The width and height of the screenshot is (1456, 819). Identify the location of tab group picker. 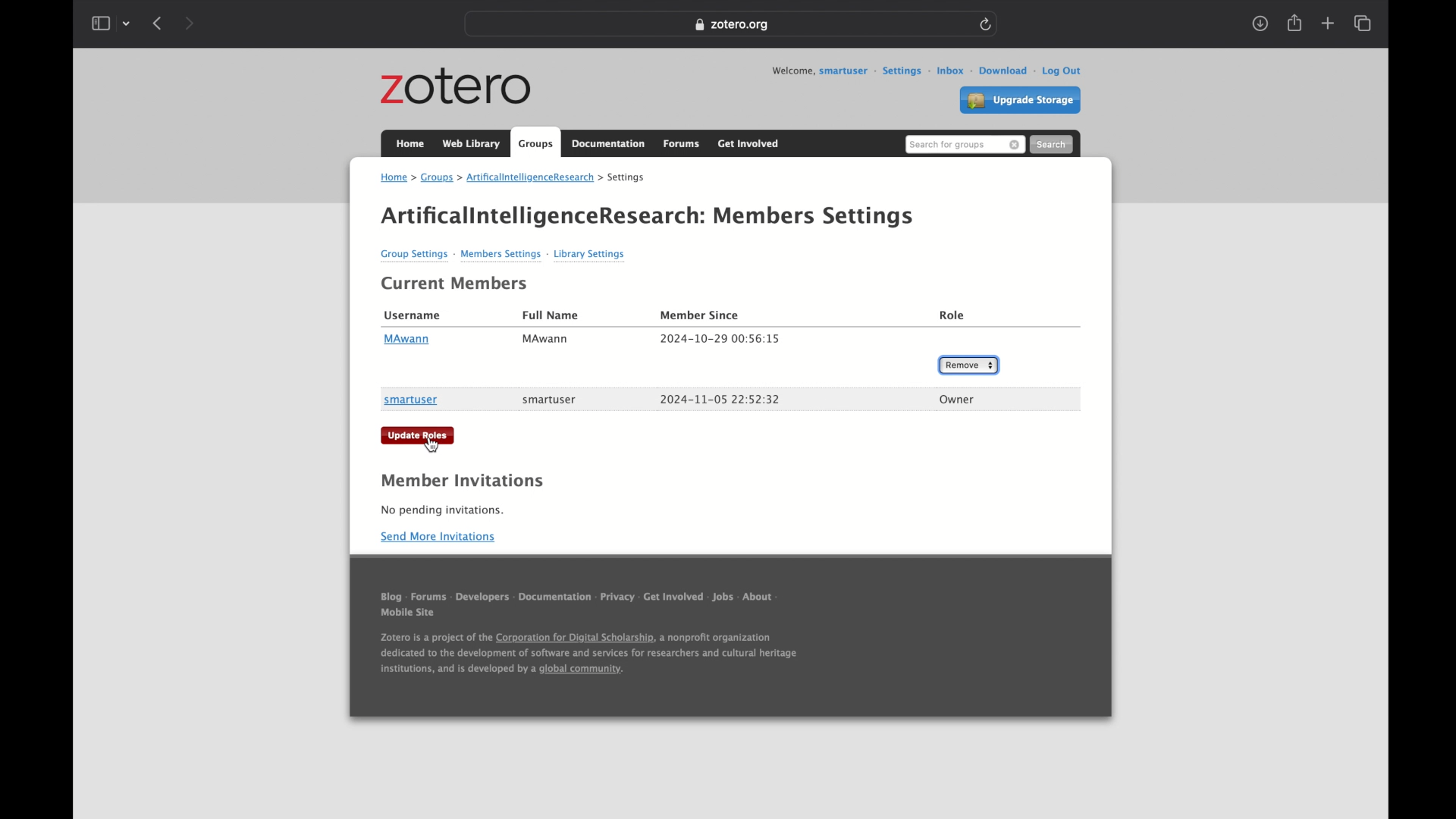
(127, 24).